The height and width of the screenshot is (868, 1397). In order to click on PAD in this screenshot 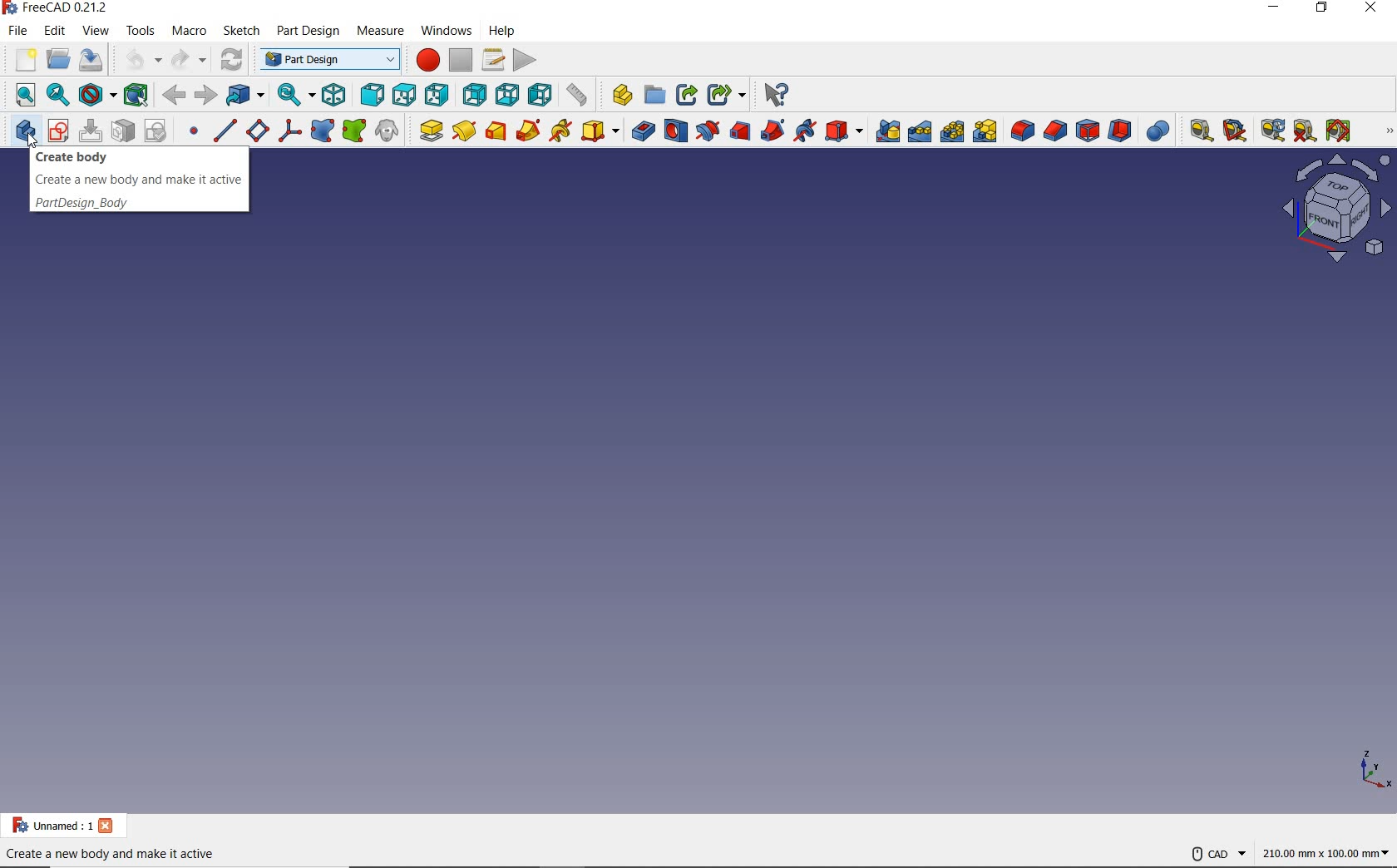, I will do `click(427, 131)`.